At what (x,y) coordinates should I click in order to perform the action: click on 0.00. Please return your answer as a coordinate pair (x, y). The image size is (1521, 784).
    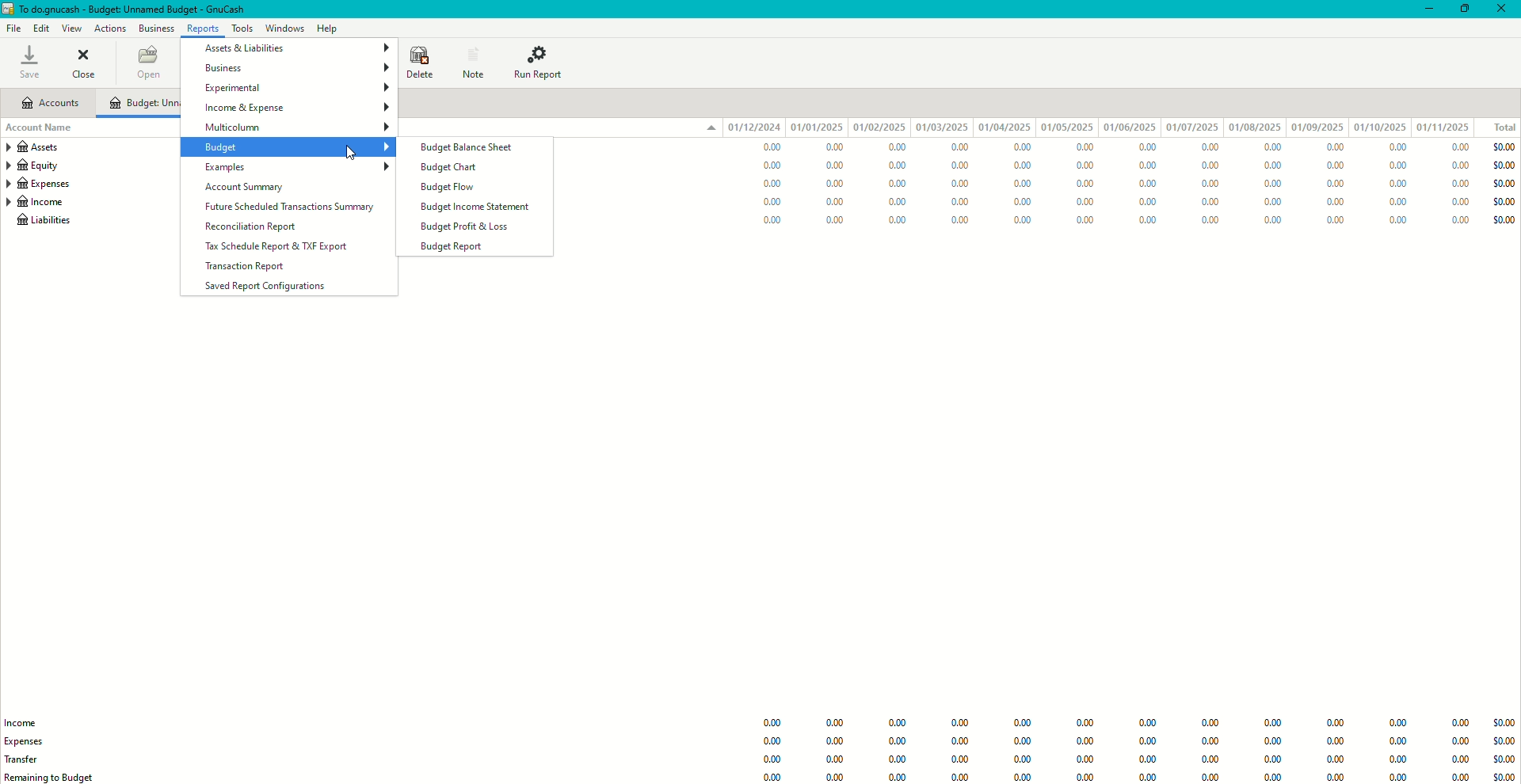
    Looking at the image, I should click on (1274, 221).